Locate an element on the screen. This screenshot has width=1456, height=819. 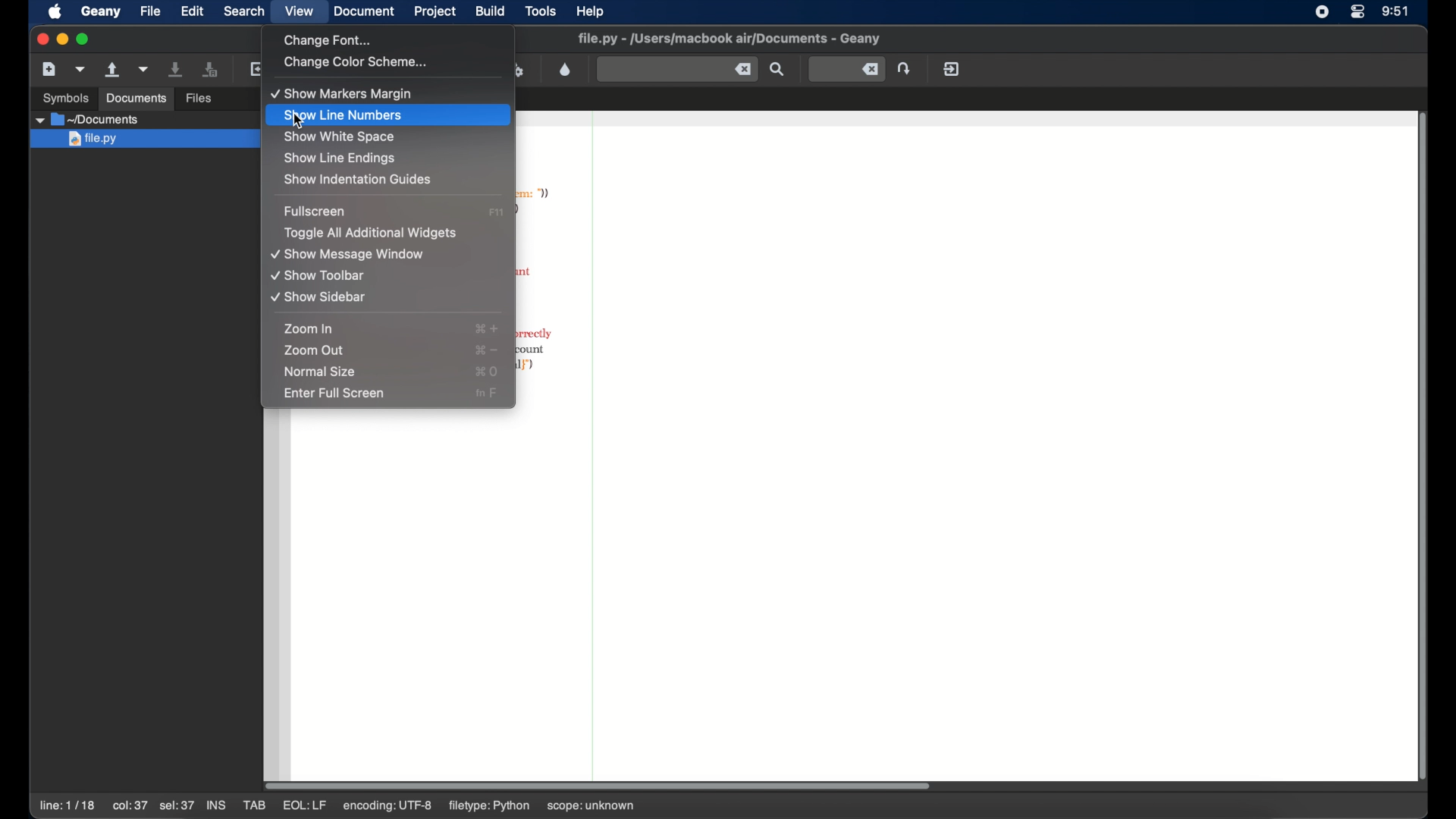
minimize is located at coordinates (63, 39).